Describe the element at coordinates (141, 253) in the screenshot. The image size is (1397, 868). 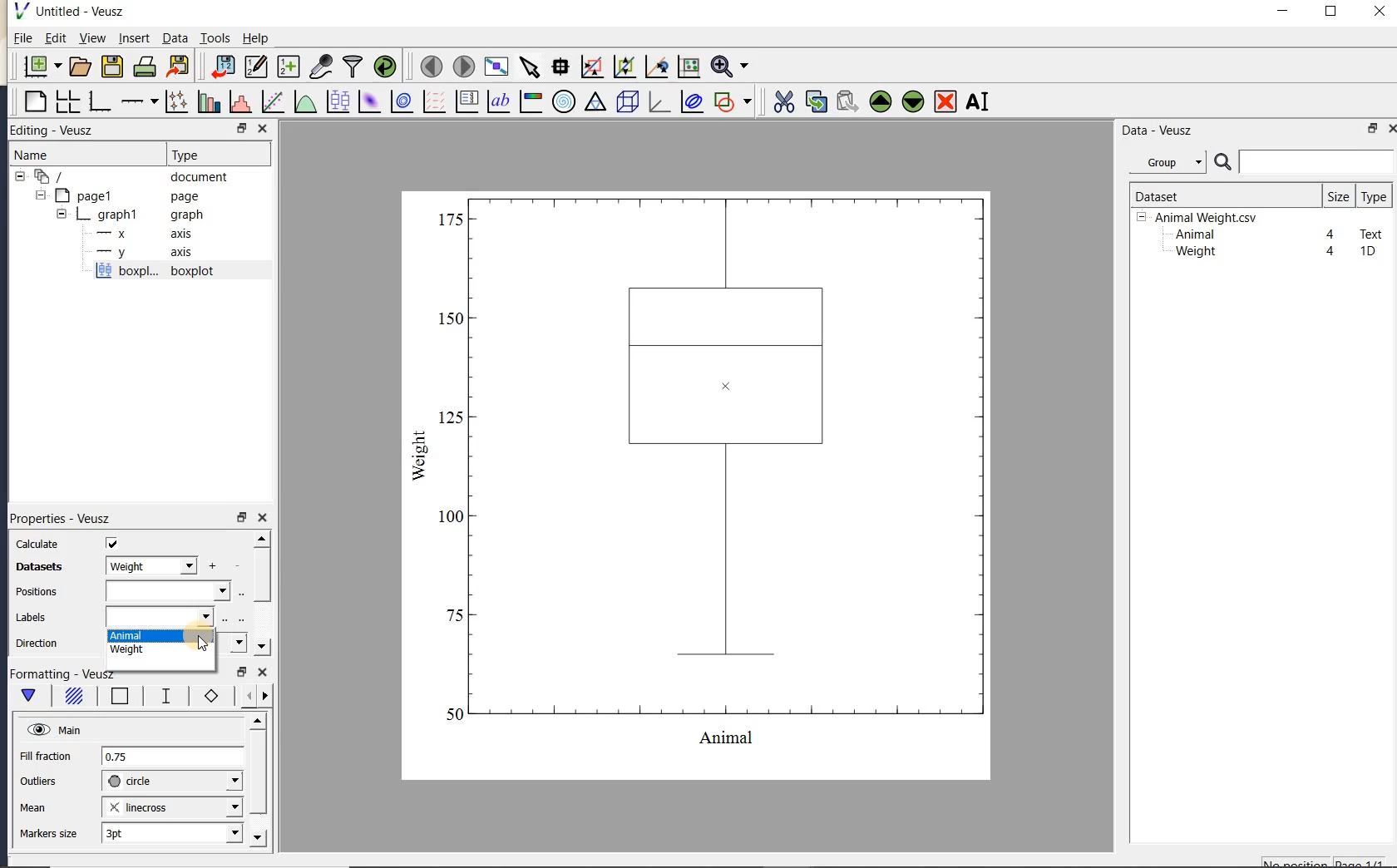
I see `axis` at that location.